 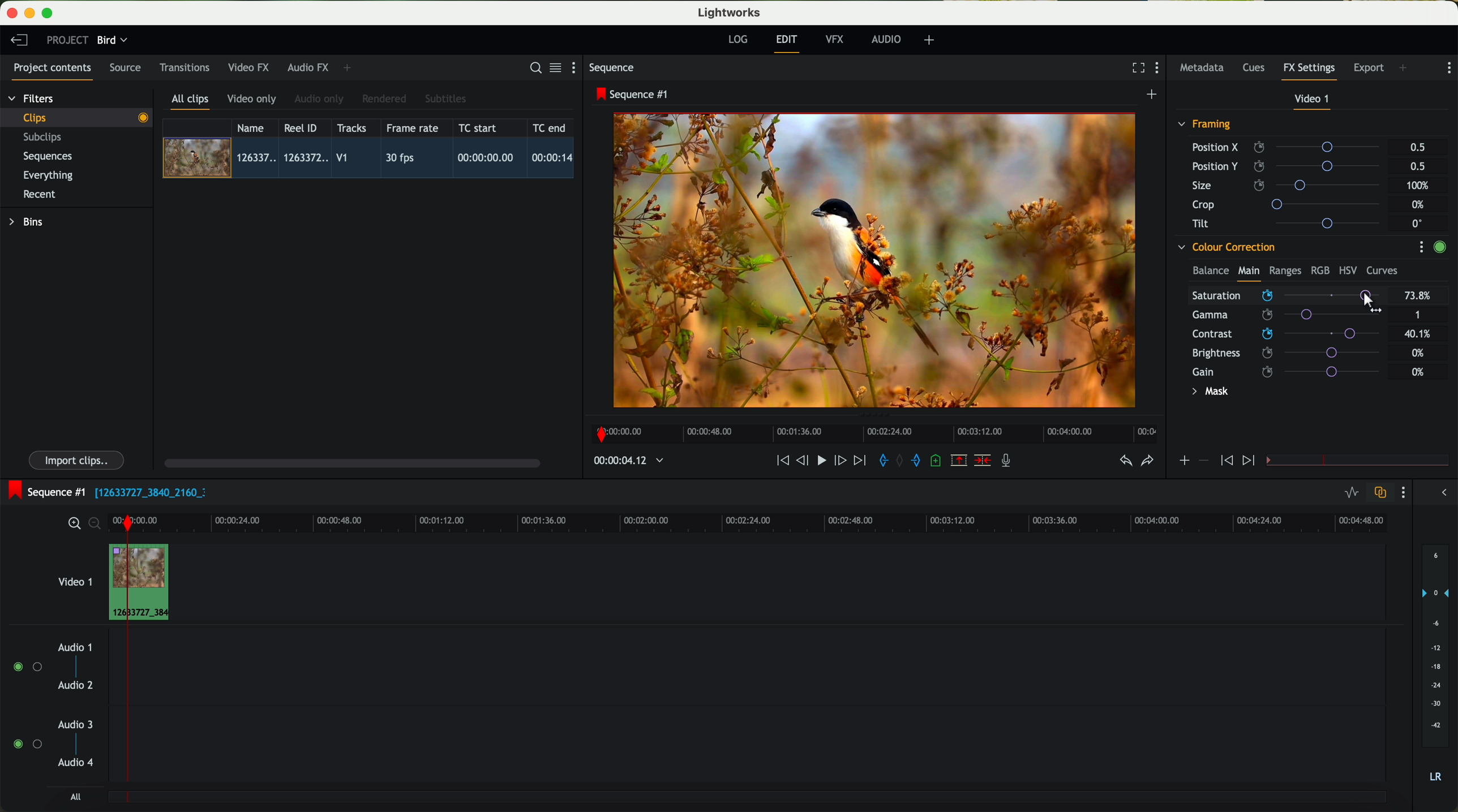 What do you see at coordinates (308, 67) in the screenshot?
I see `audio FX` at bounding box center [308, 67].